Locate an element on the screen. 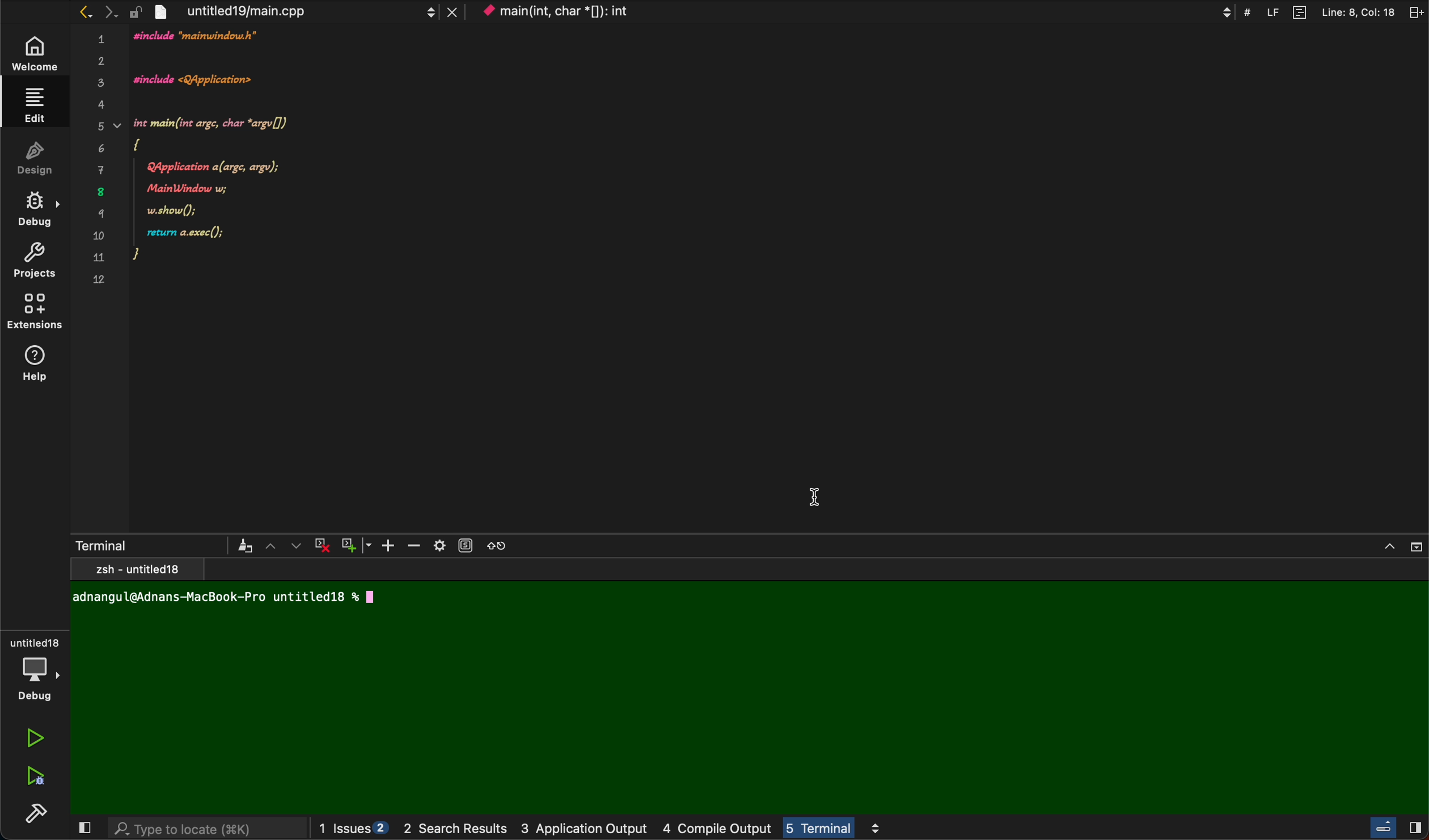  file tab is located at coordinates (294, 11).